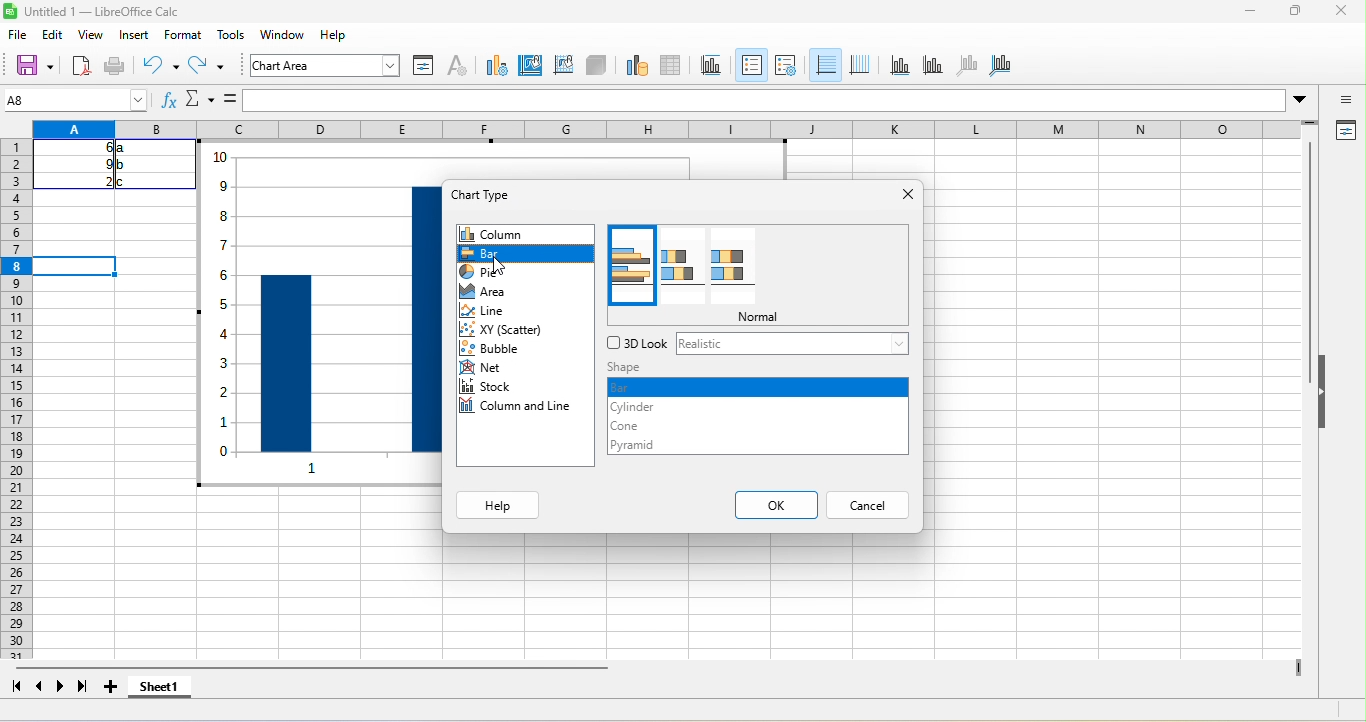 The width and height of the screenshot is (1366, 722). What do you see at coordinates (645, 407) in the screenshot?
I see `cylinder` at bounding box center [645, 407].